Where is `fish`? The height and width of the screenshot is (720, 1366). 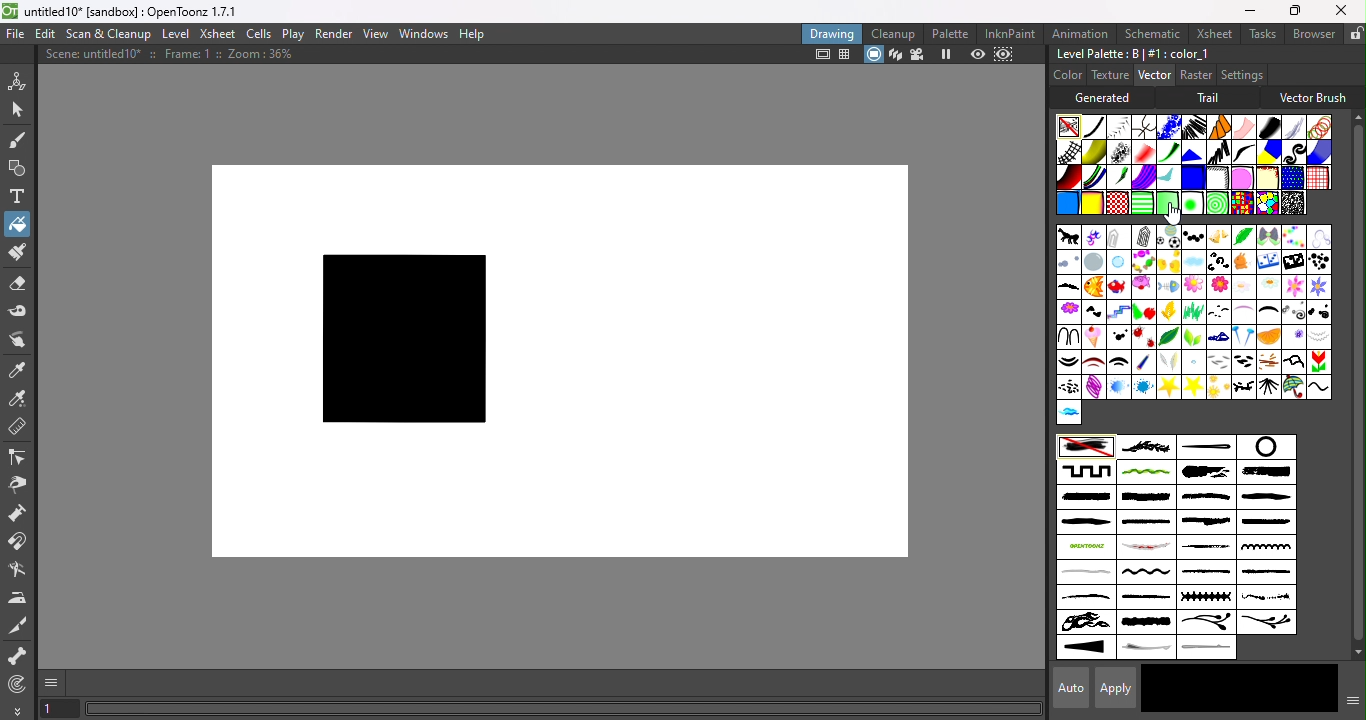 fish is located at coordinates (1092, 288).